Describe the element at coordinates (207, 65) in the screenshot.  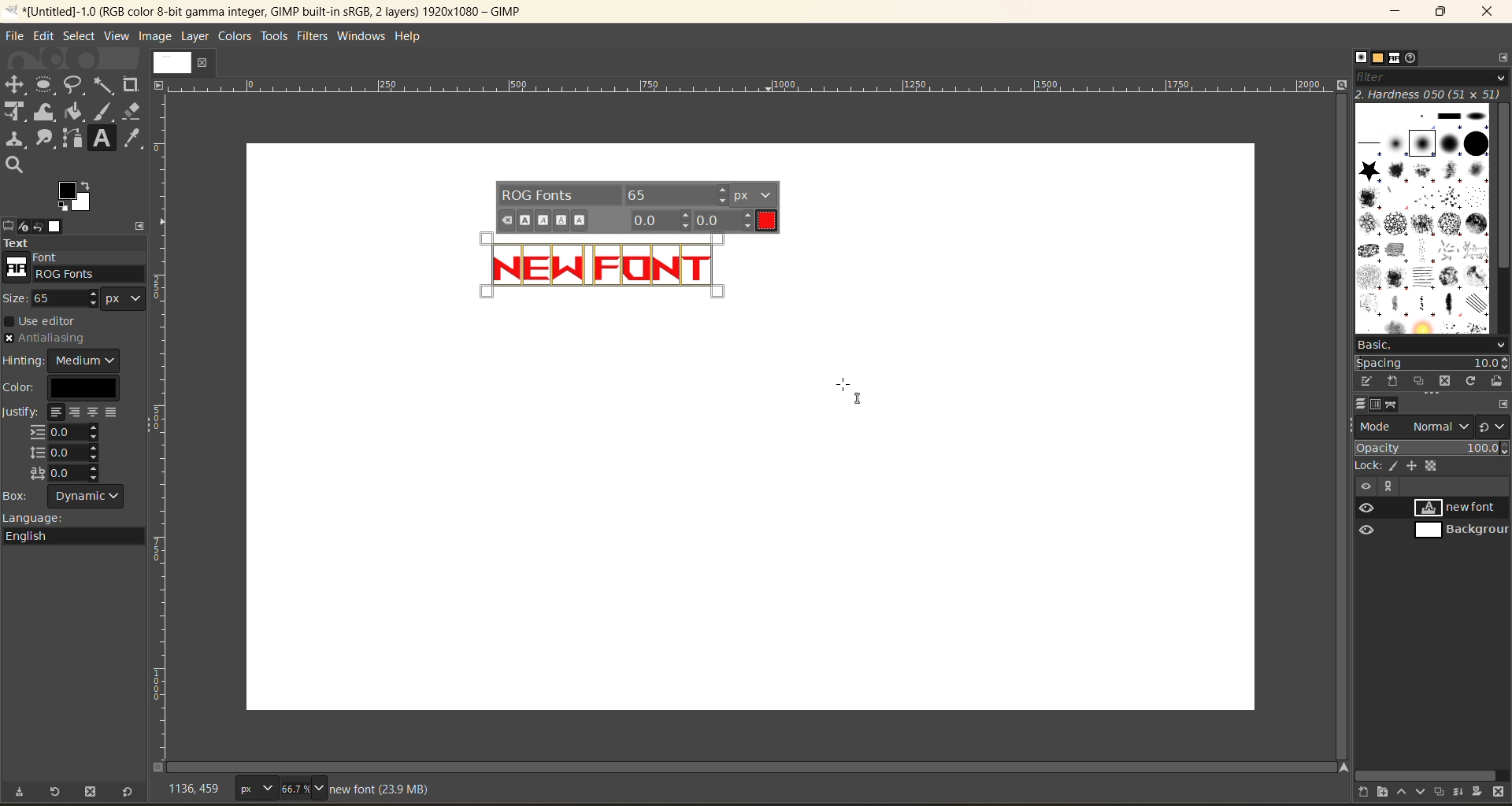
I see `close` at that location.